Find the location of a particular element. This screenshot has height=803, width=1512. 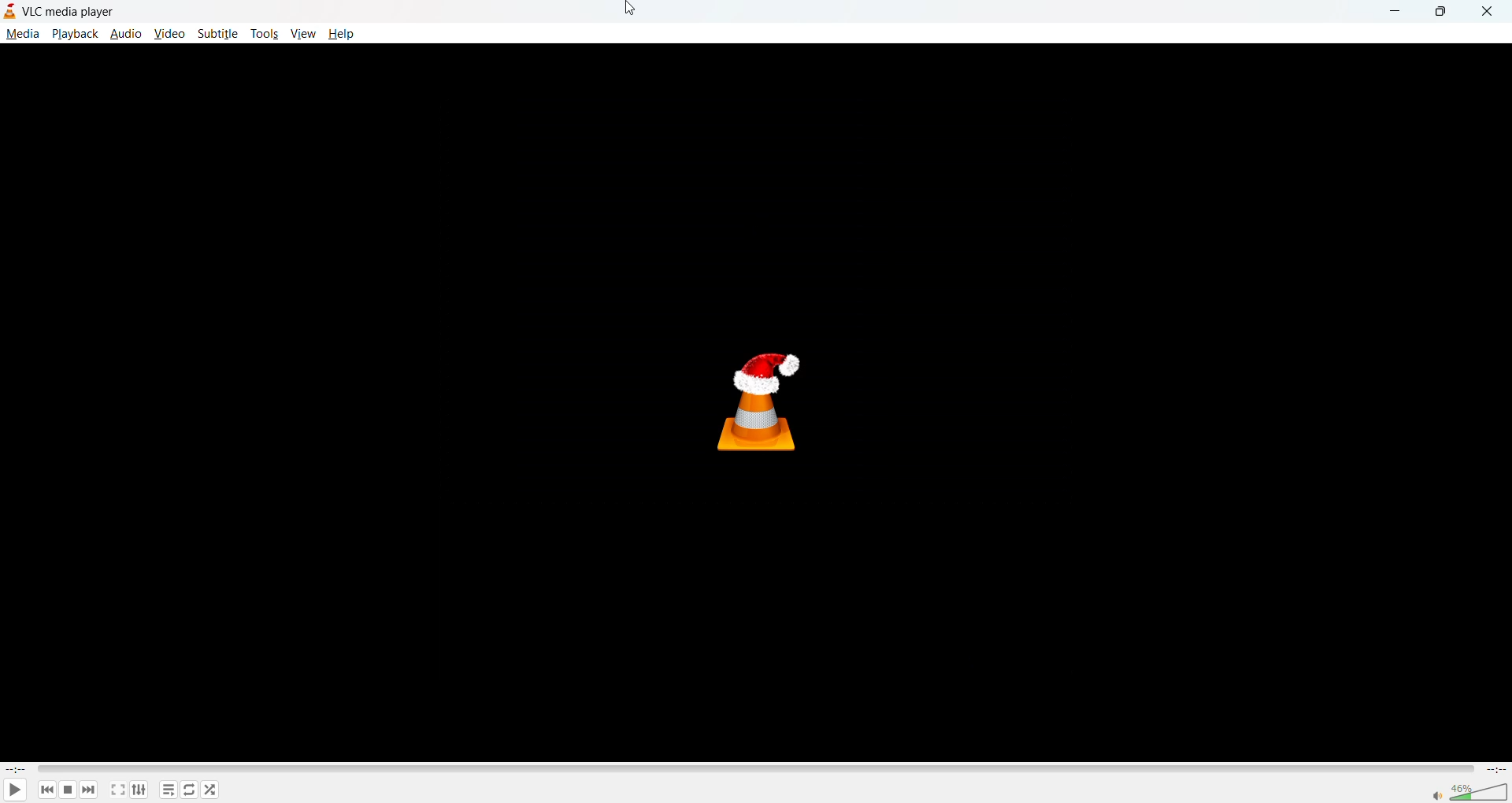

maximize is located at coordinates (1440, 13).